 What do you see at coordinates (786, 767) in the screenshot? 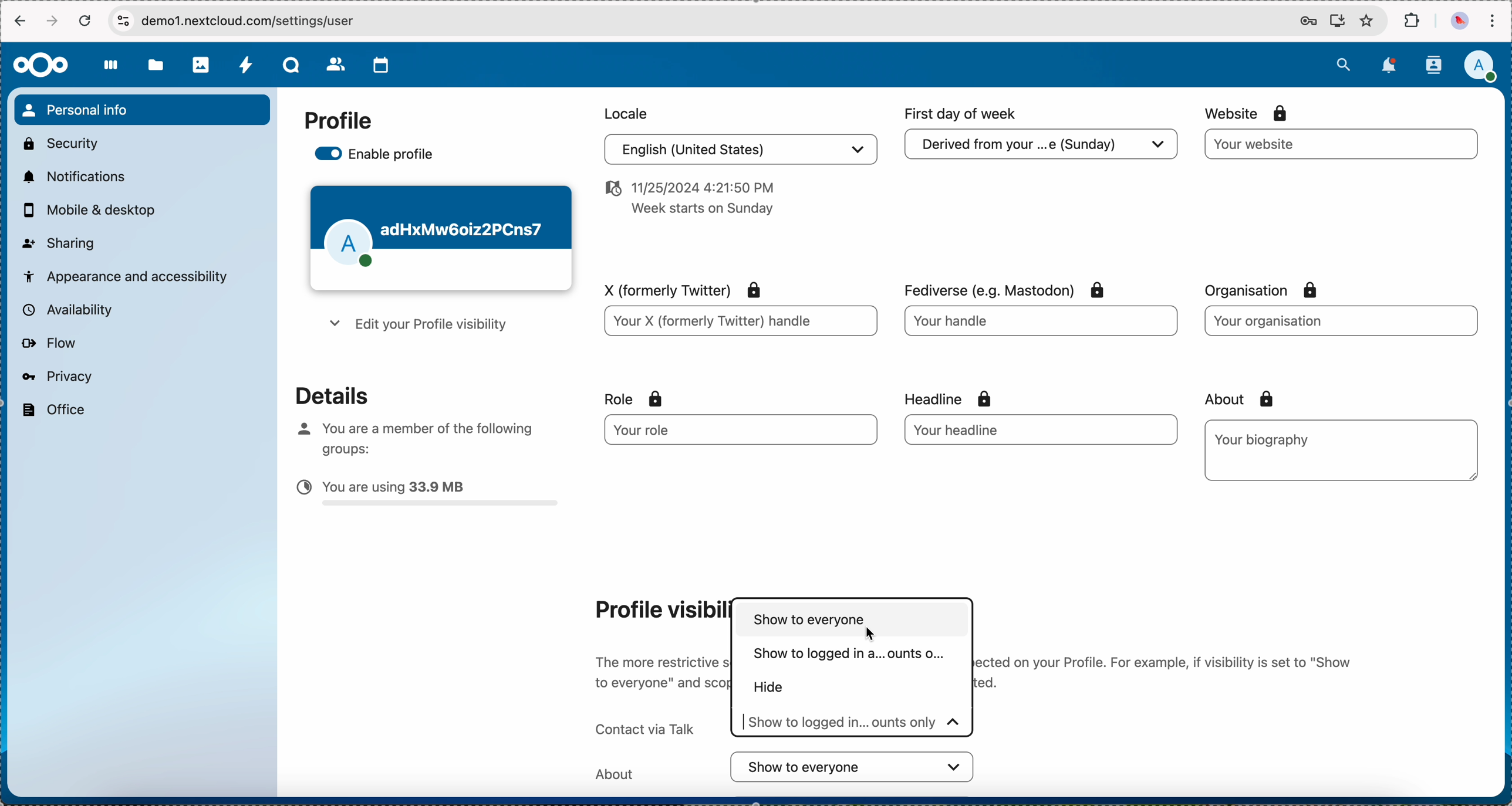
I see `about` at bounding box center [786, 767].